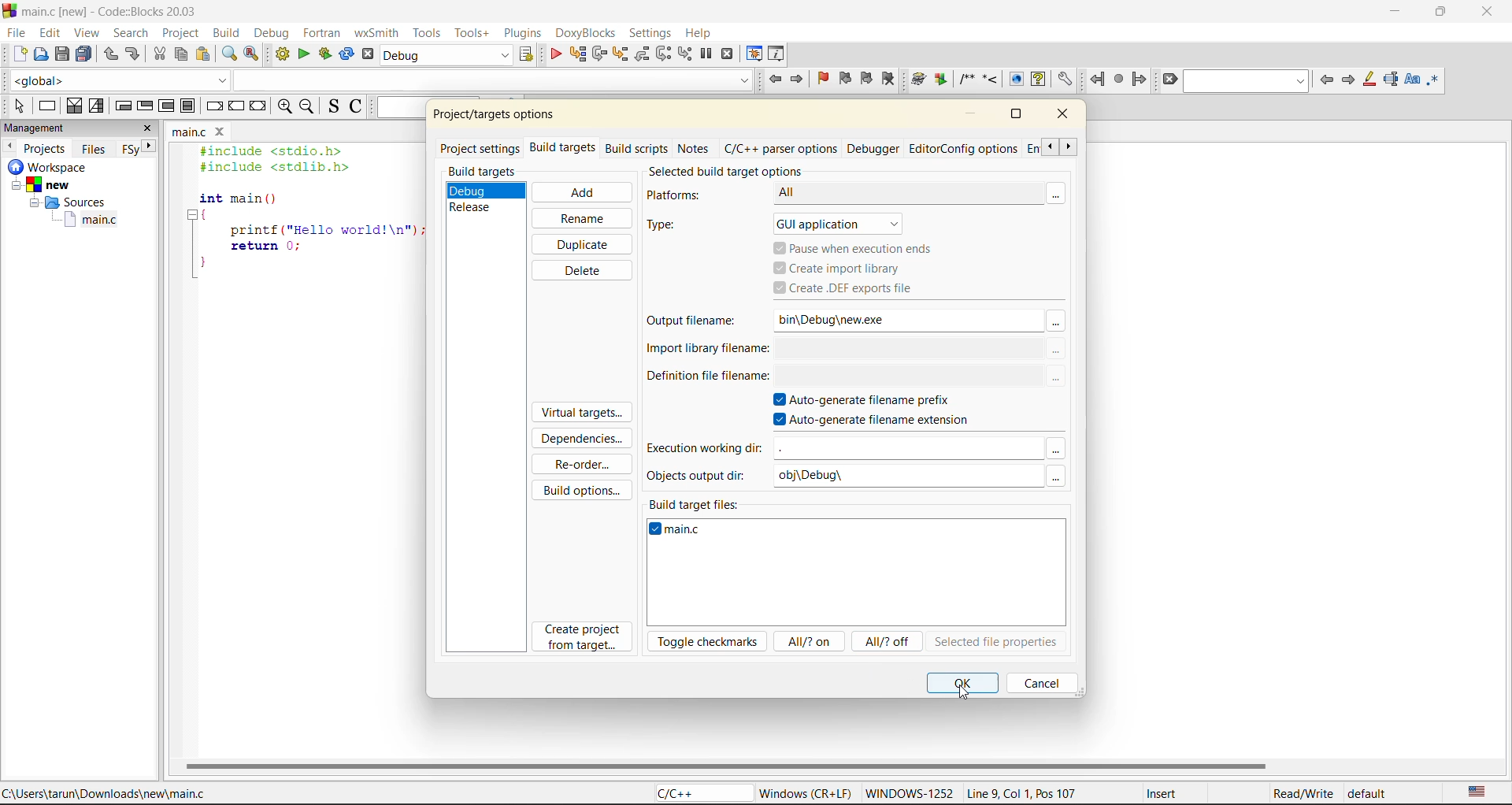  Describe the element at coordinates (802, 792) in the screenshot. I see `Windows (CR+LF)` at that location.